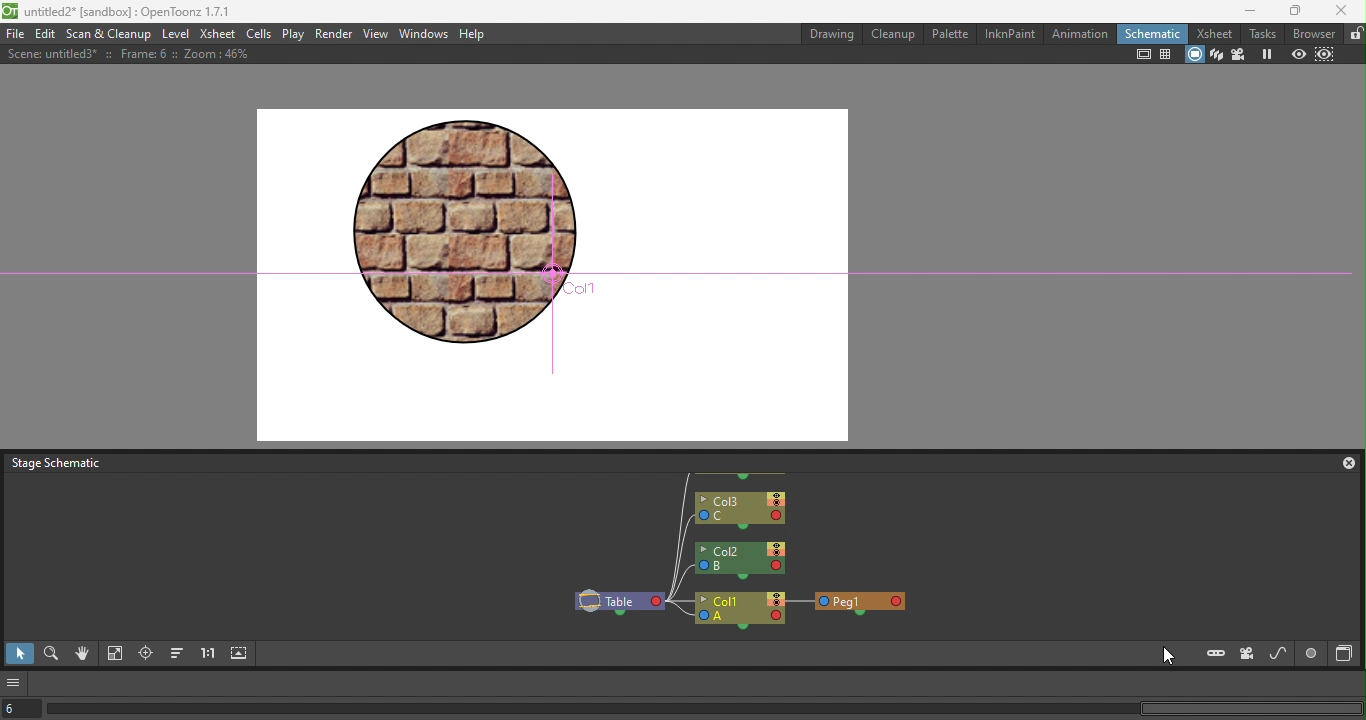 This screenshot has width=1366, height=720. What do you see at coordinates (21, 709) in the screenshot?
I see `select the current frame` at bounding box center [21, 709].